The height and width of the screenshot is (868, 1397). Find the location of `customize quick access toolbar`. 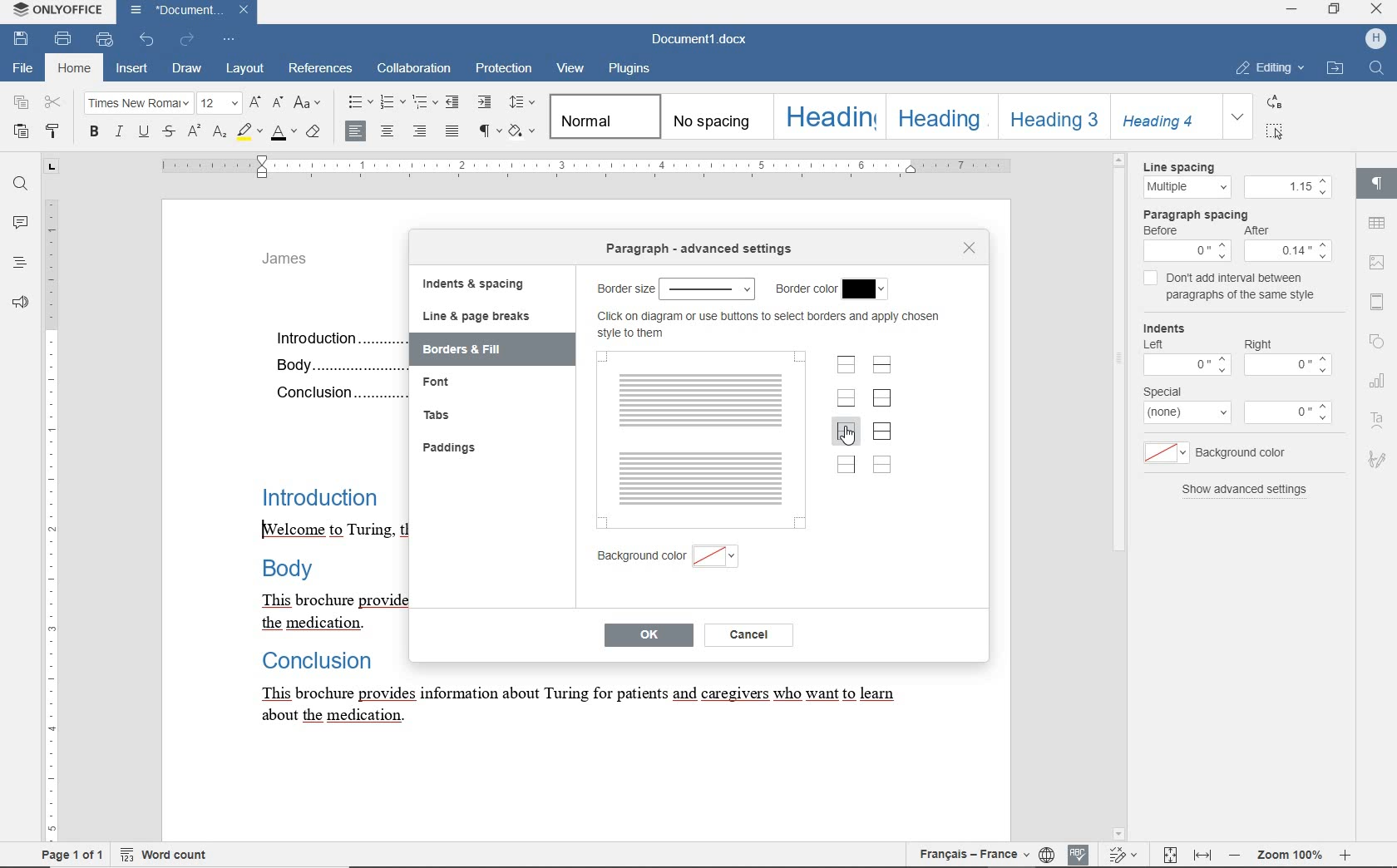

customize quick access toolbar is located at coordinates (230, 40).